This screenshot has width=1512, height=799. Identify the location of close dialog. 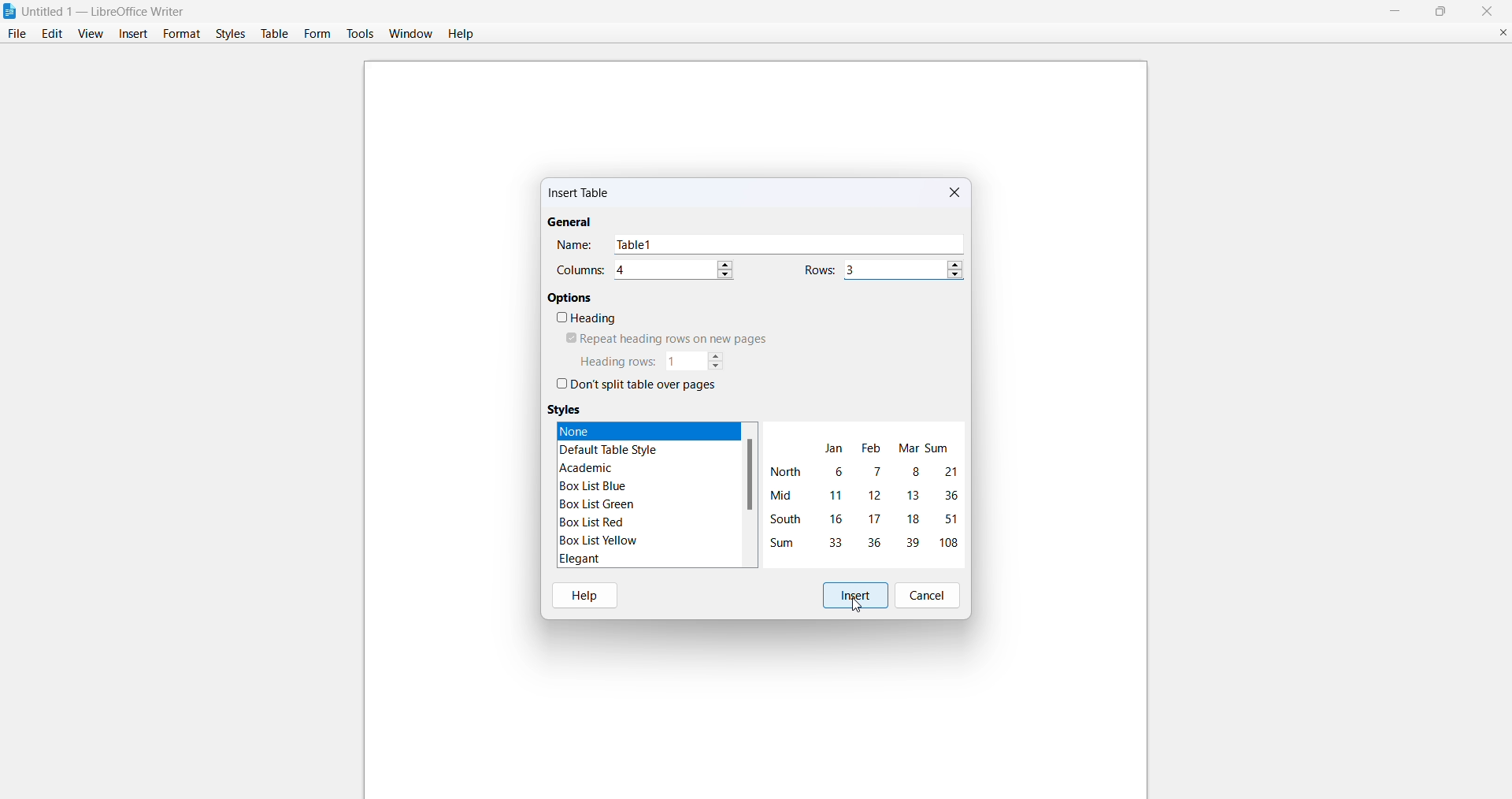
(957, 193).